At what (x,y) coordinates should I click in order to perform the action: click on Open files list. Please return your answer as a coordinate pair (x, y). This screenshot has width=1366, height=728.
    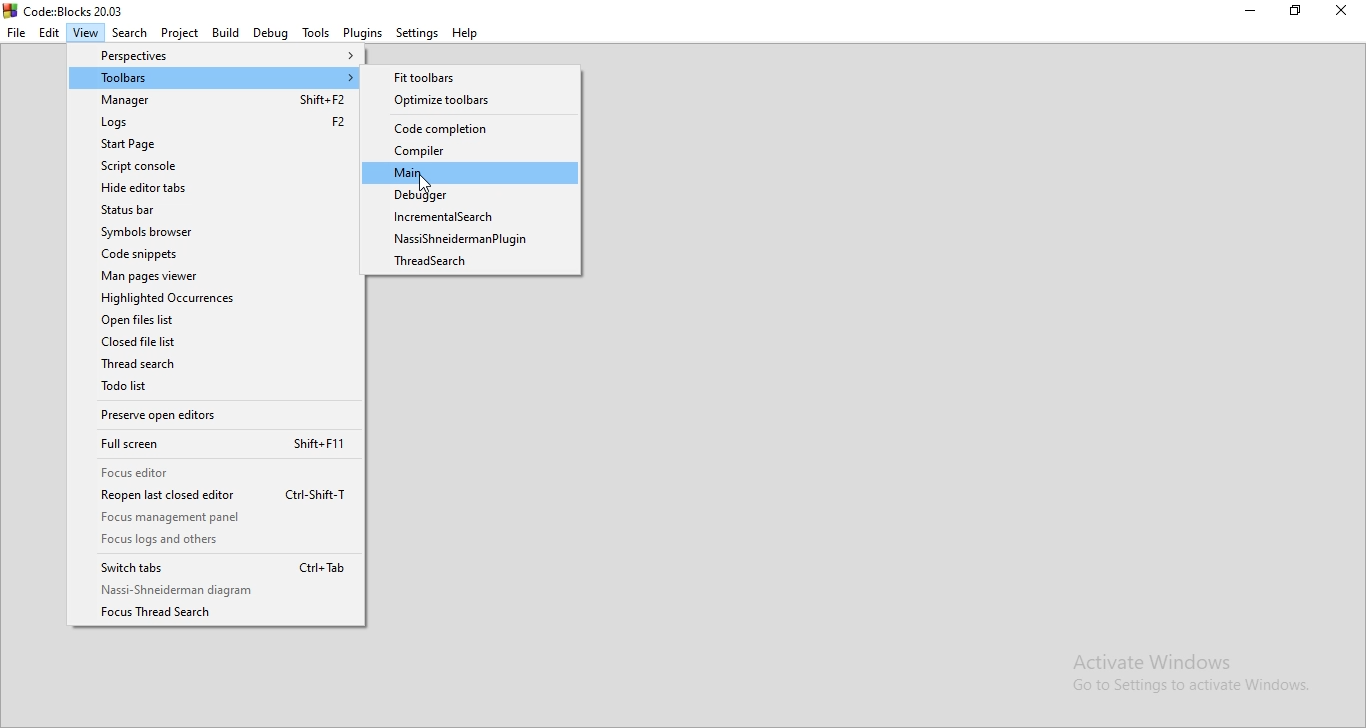
    Looking at the image, I should click on (214, 319).